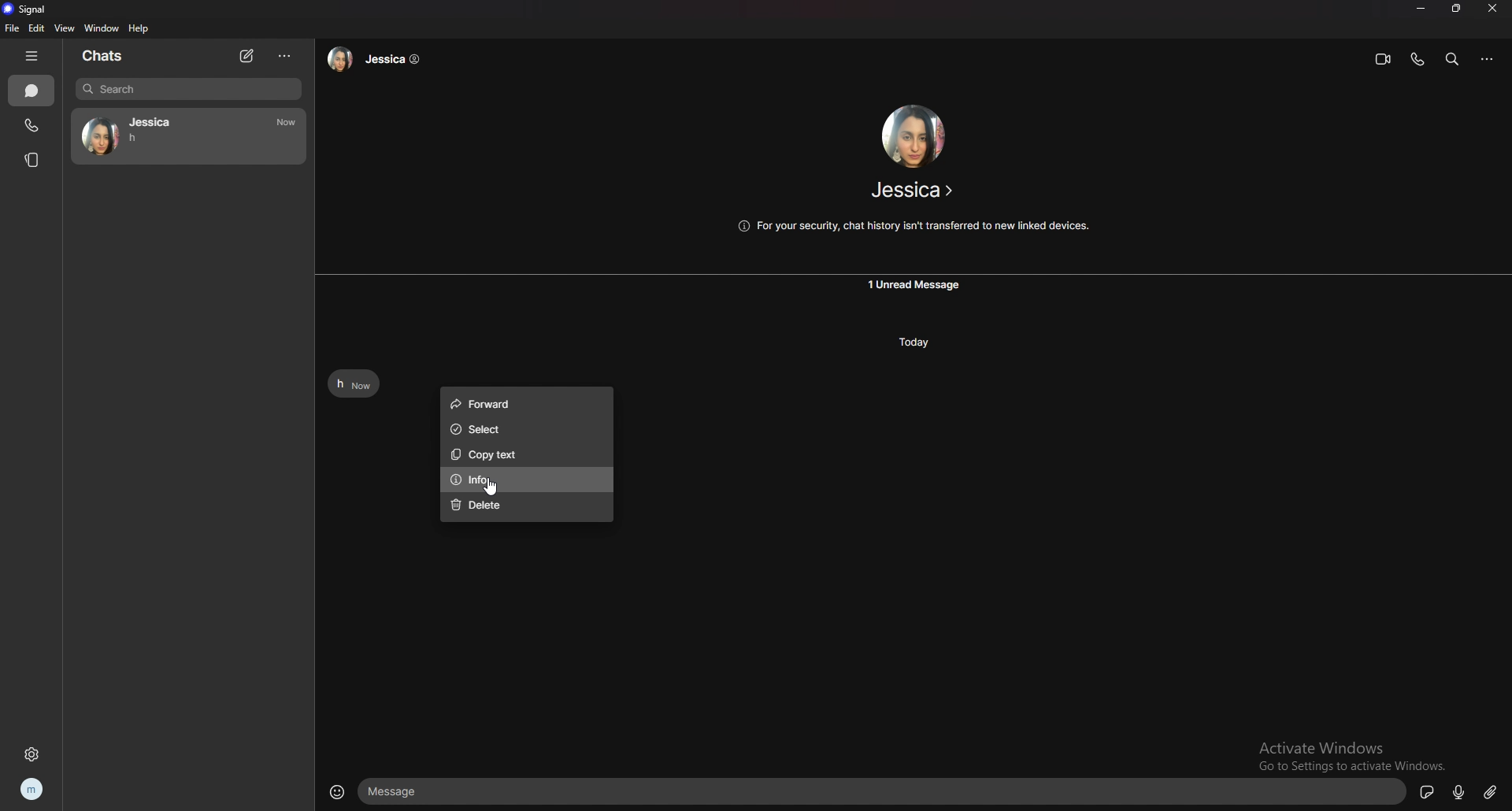 Image resolution: width=1512 pixels, height=811 pixels. I want to click on profile, so click(32, 790).